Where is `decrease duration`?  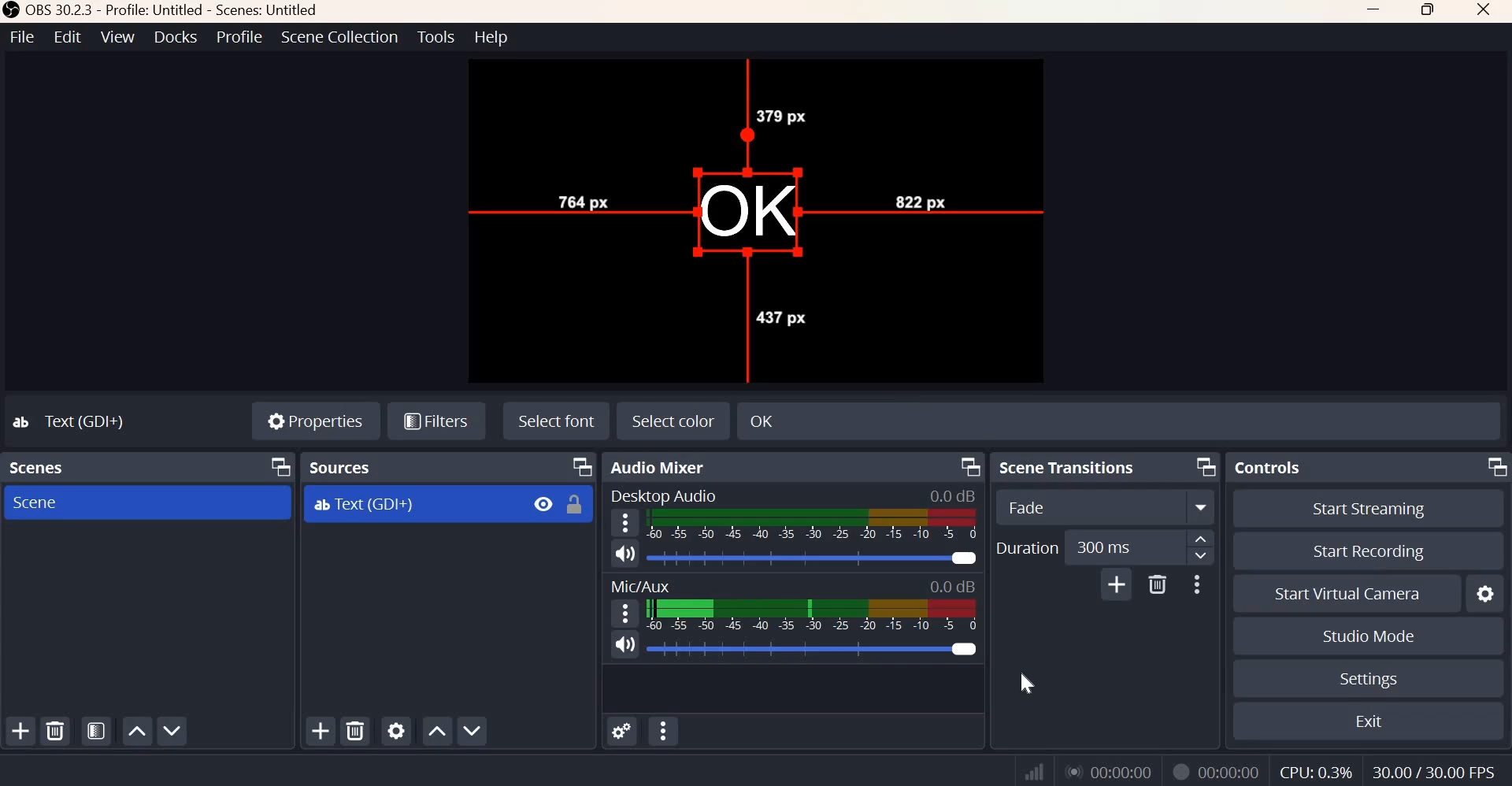
decrease duration is located at coordinates (1201, 556).